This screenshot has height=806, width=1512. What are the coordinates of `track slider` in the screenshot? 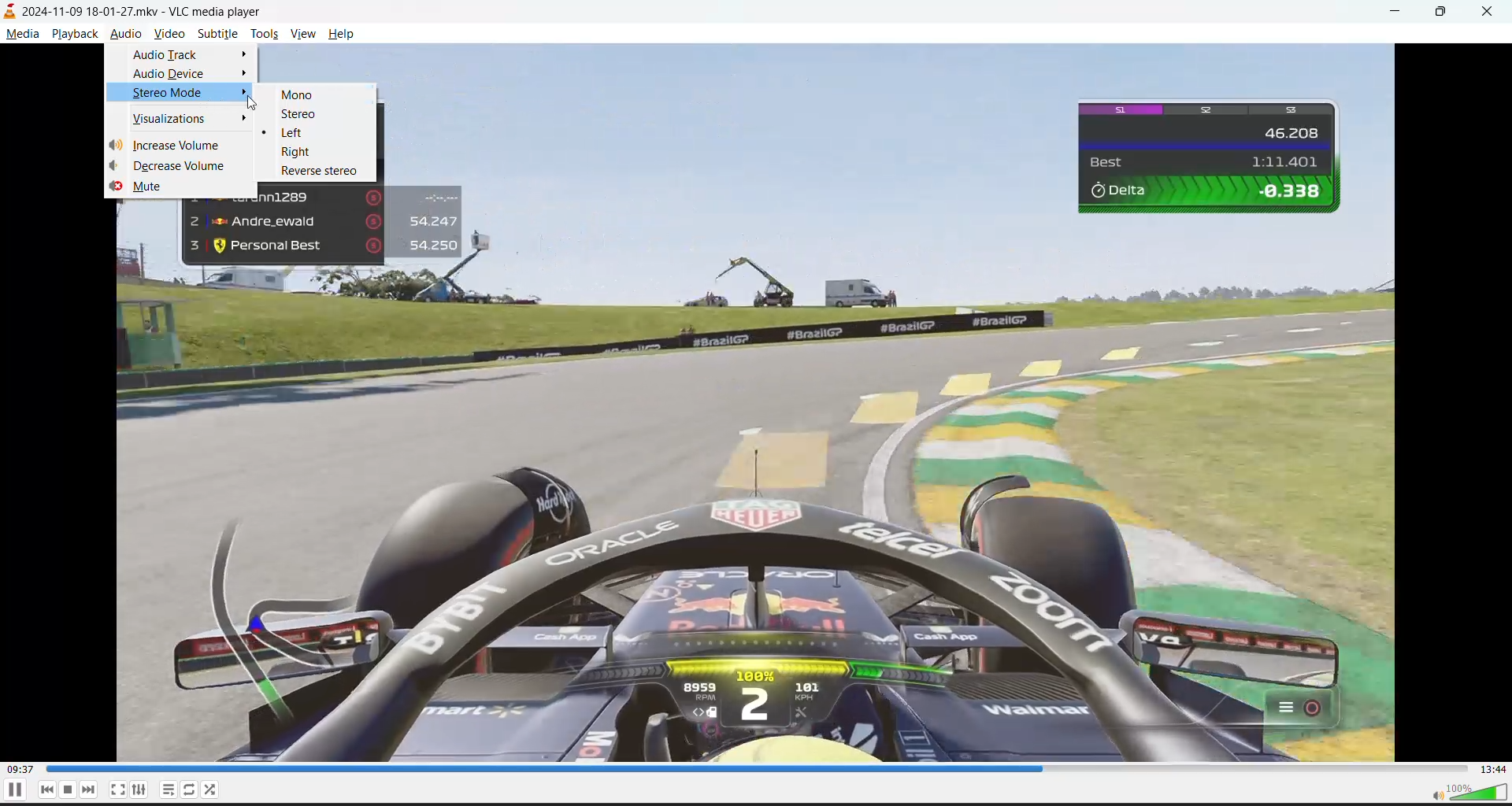 It's located at (756, 768).